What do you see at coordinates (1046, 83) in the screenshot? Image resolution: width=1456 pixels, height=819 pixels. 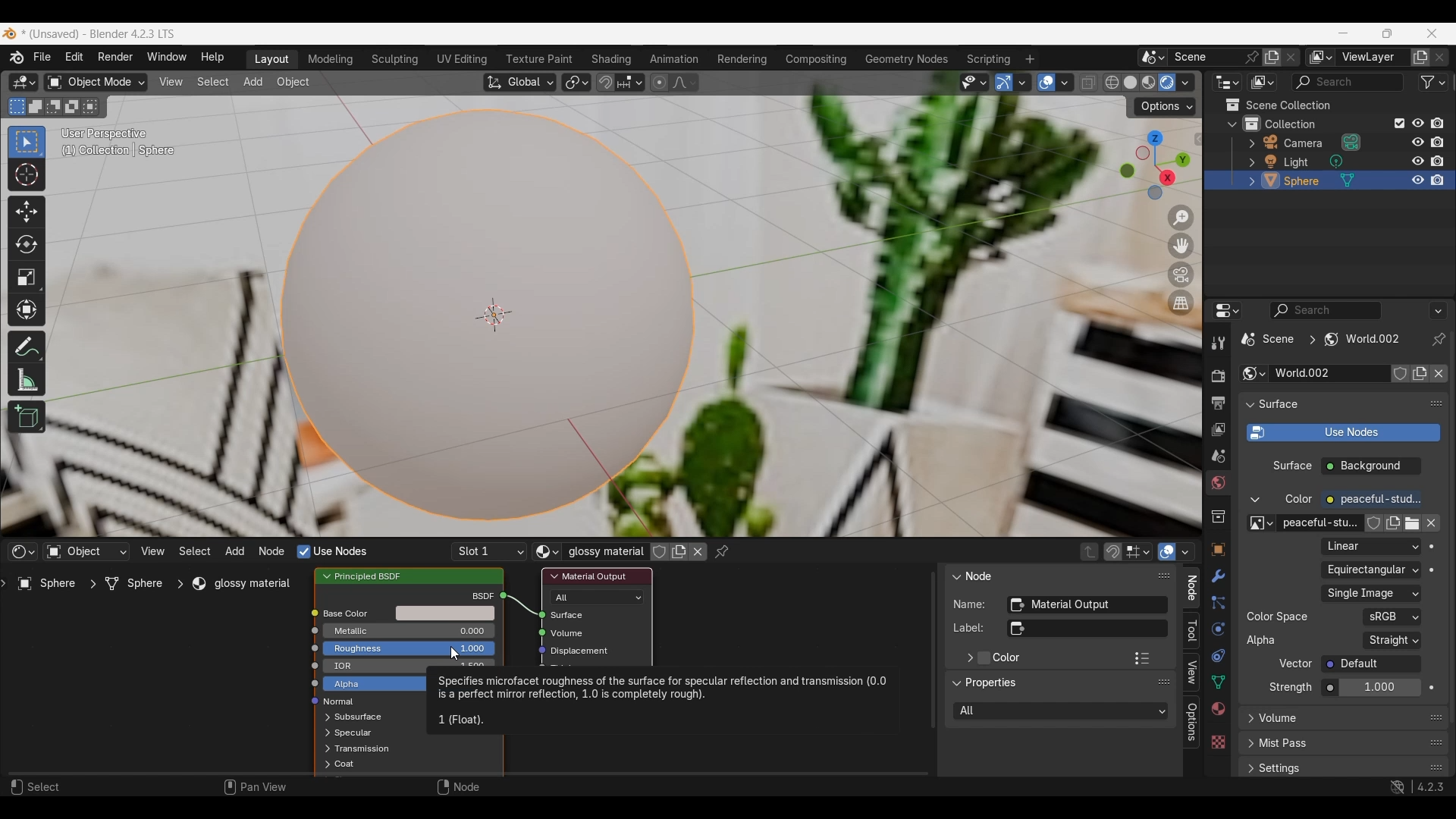 I see `Show overlay` at bounding box center [1046, 83].